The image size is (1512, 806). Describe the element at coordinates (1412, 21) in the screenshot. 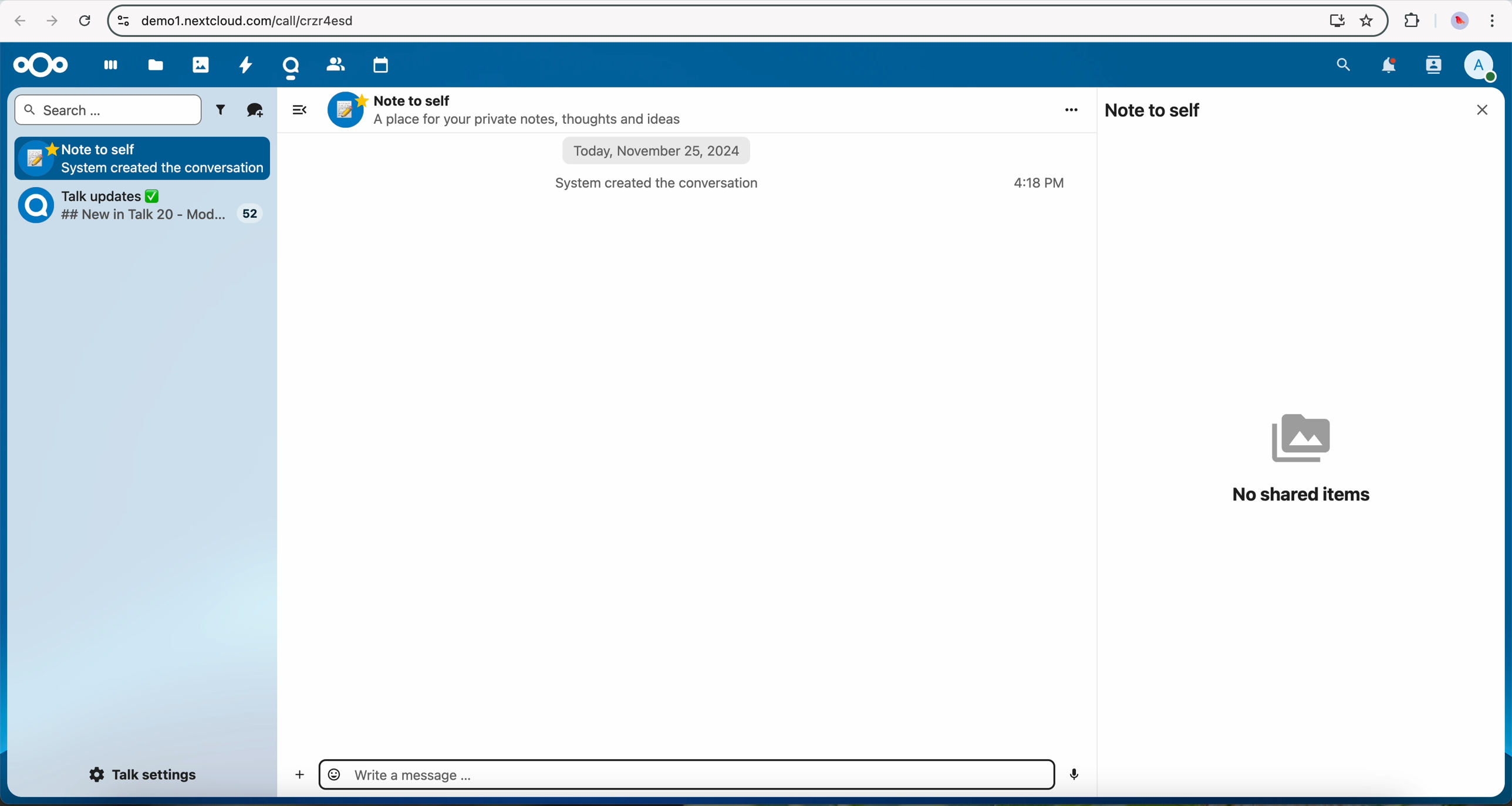

I see `extensions` at that location.